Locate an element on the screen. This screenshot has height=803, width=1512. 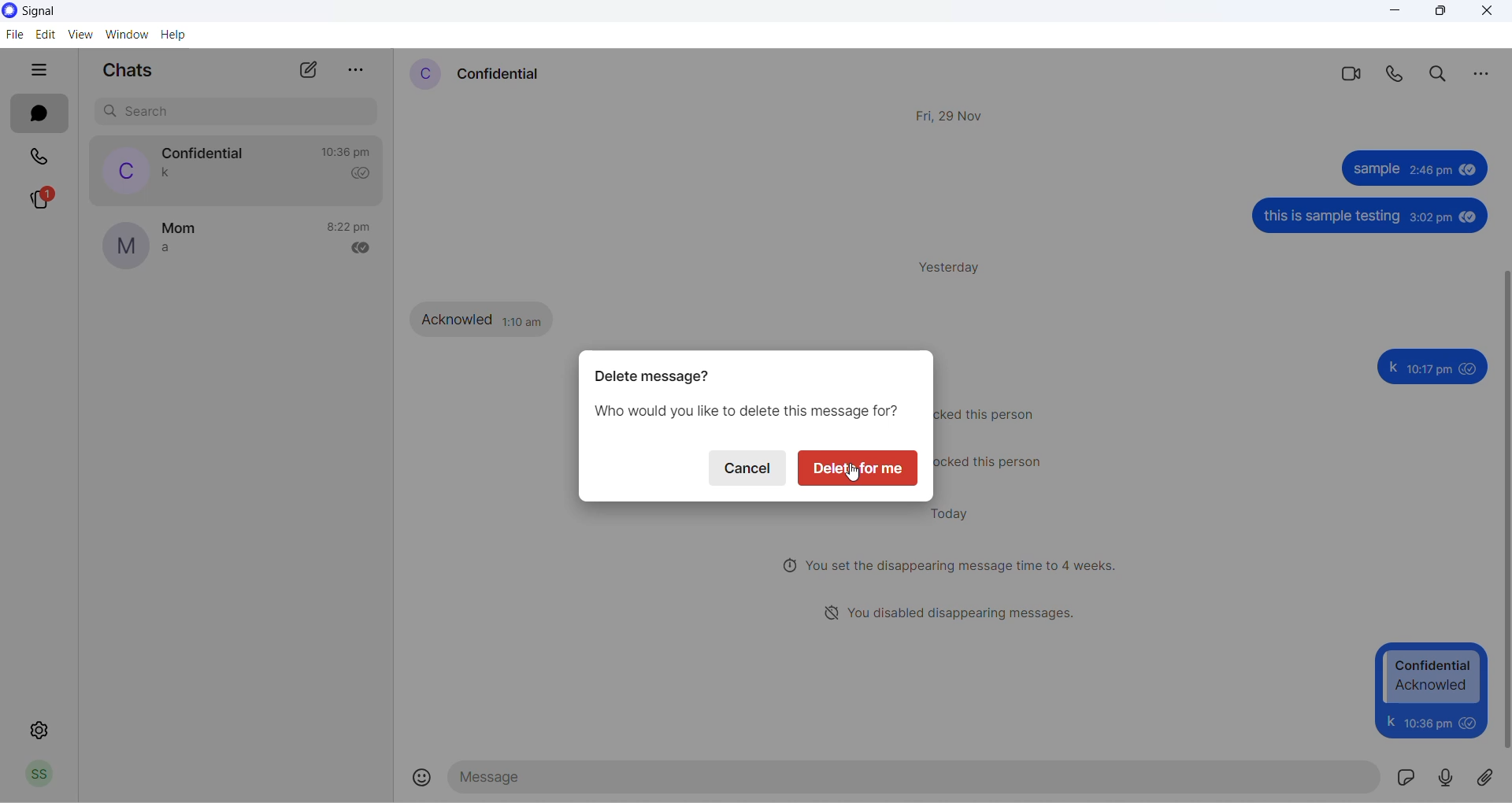
minimize is located at coordinates (1393, 16).